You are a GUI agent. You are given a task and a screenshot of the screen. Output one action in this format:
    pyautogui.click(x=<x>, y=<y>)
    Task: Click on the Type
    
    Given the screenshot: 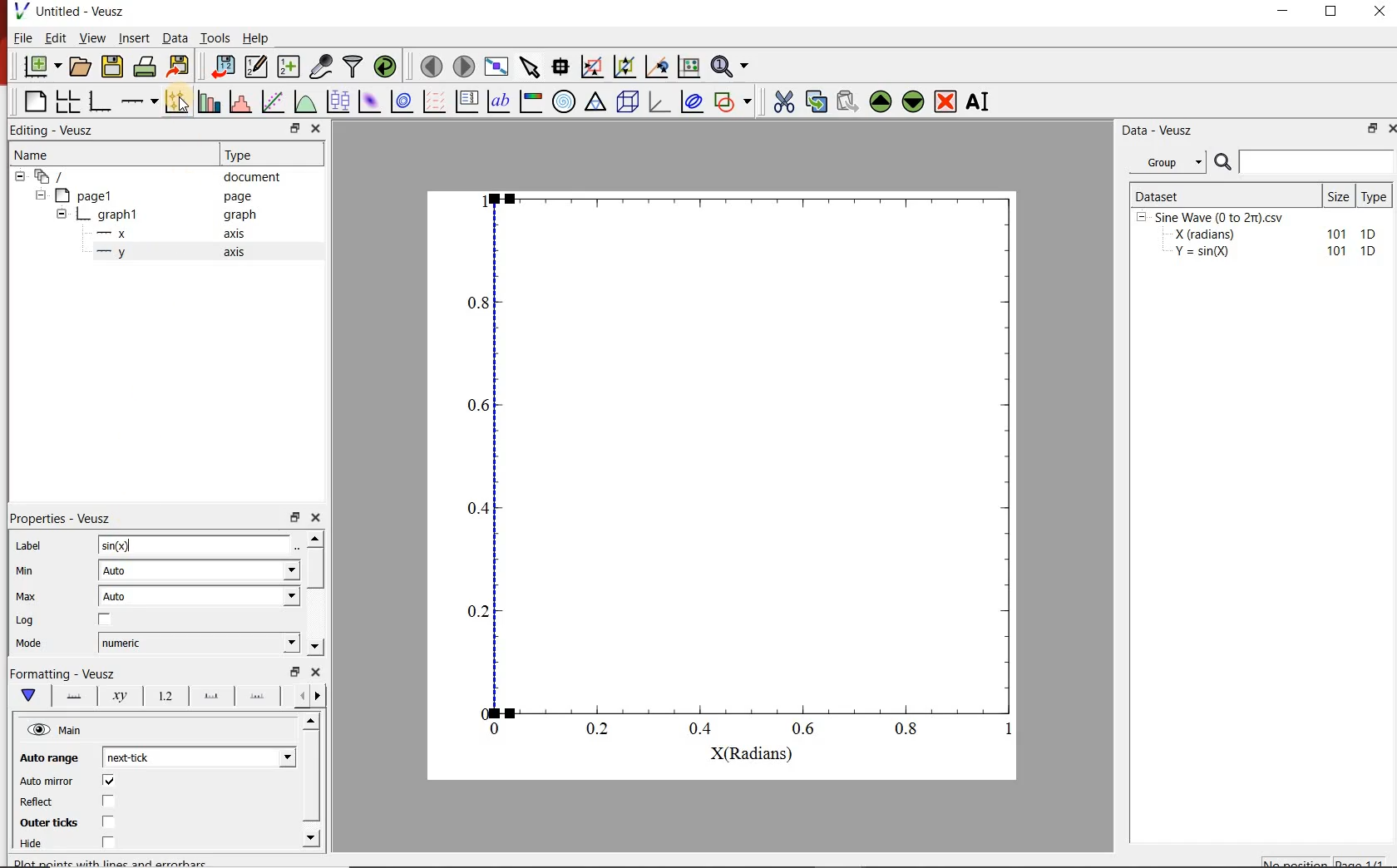 What is the action you would take?
    pyautogui.click(x=1377, y=195)
    